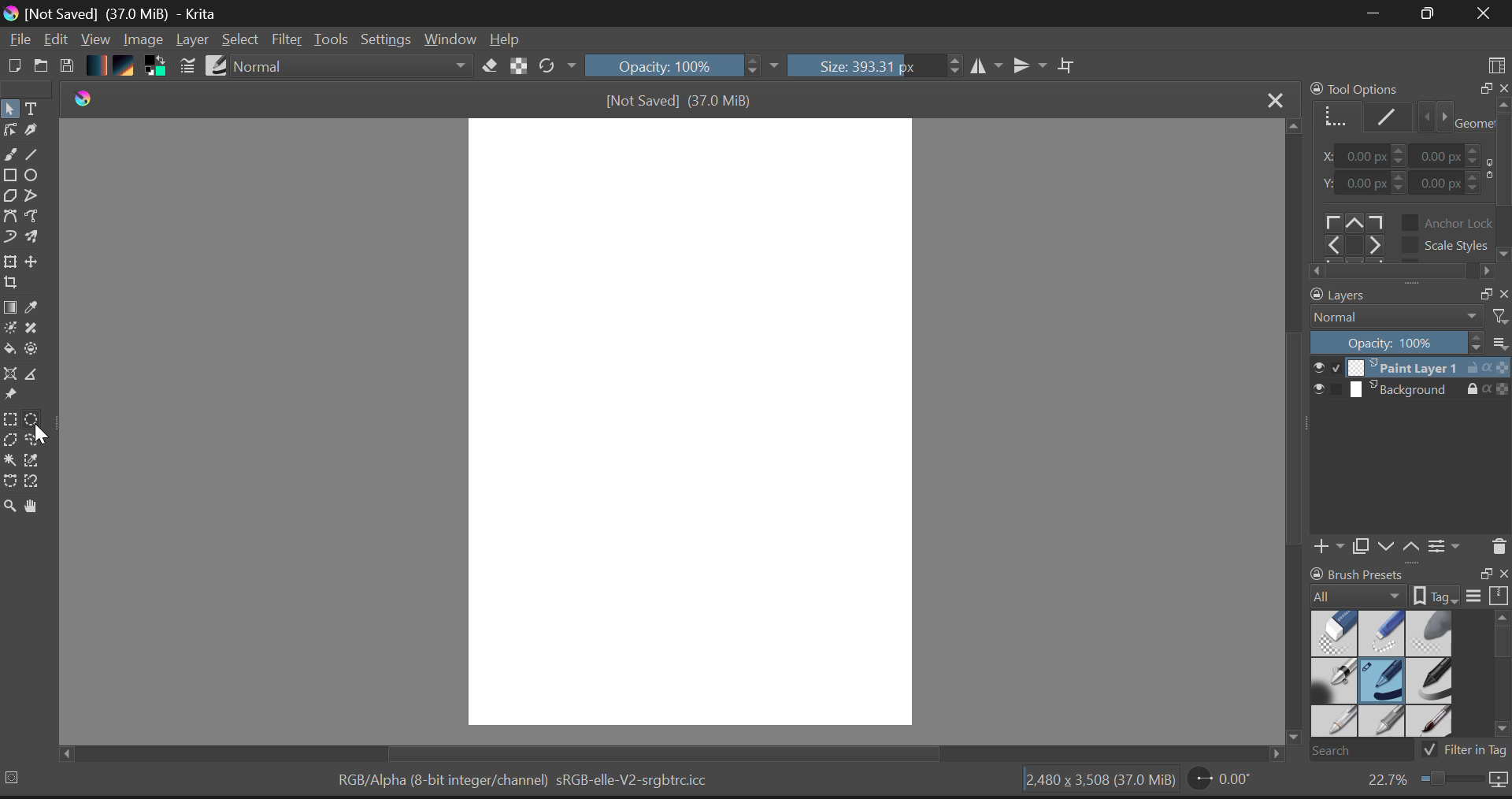 This screenshot has height=799, width=1512. I want to click on Brush Size, so click(874, 67).